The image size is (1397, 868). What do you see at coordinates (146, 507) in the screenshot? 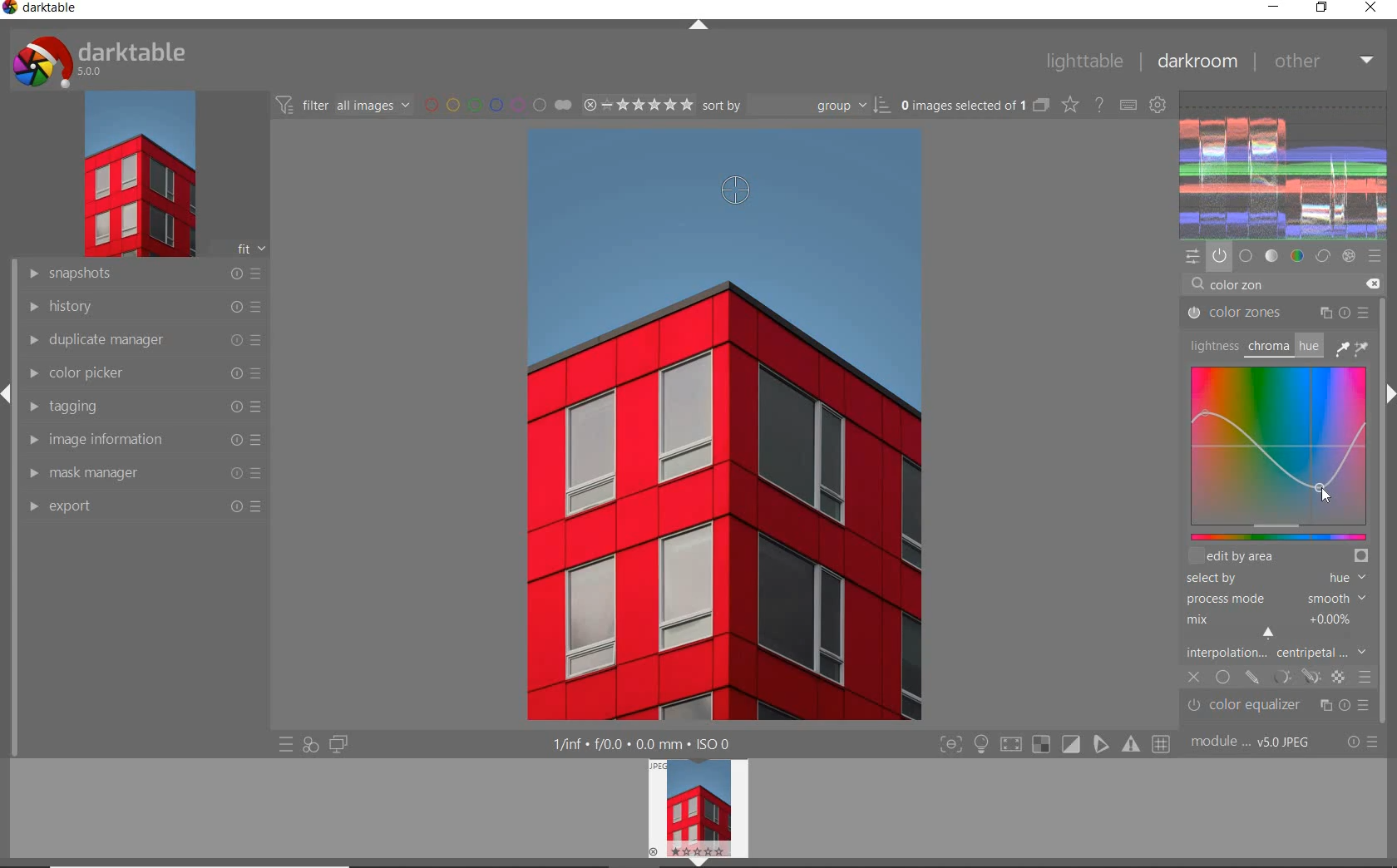
I see `export` at bounding box center [146, 507].